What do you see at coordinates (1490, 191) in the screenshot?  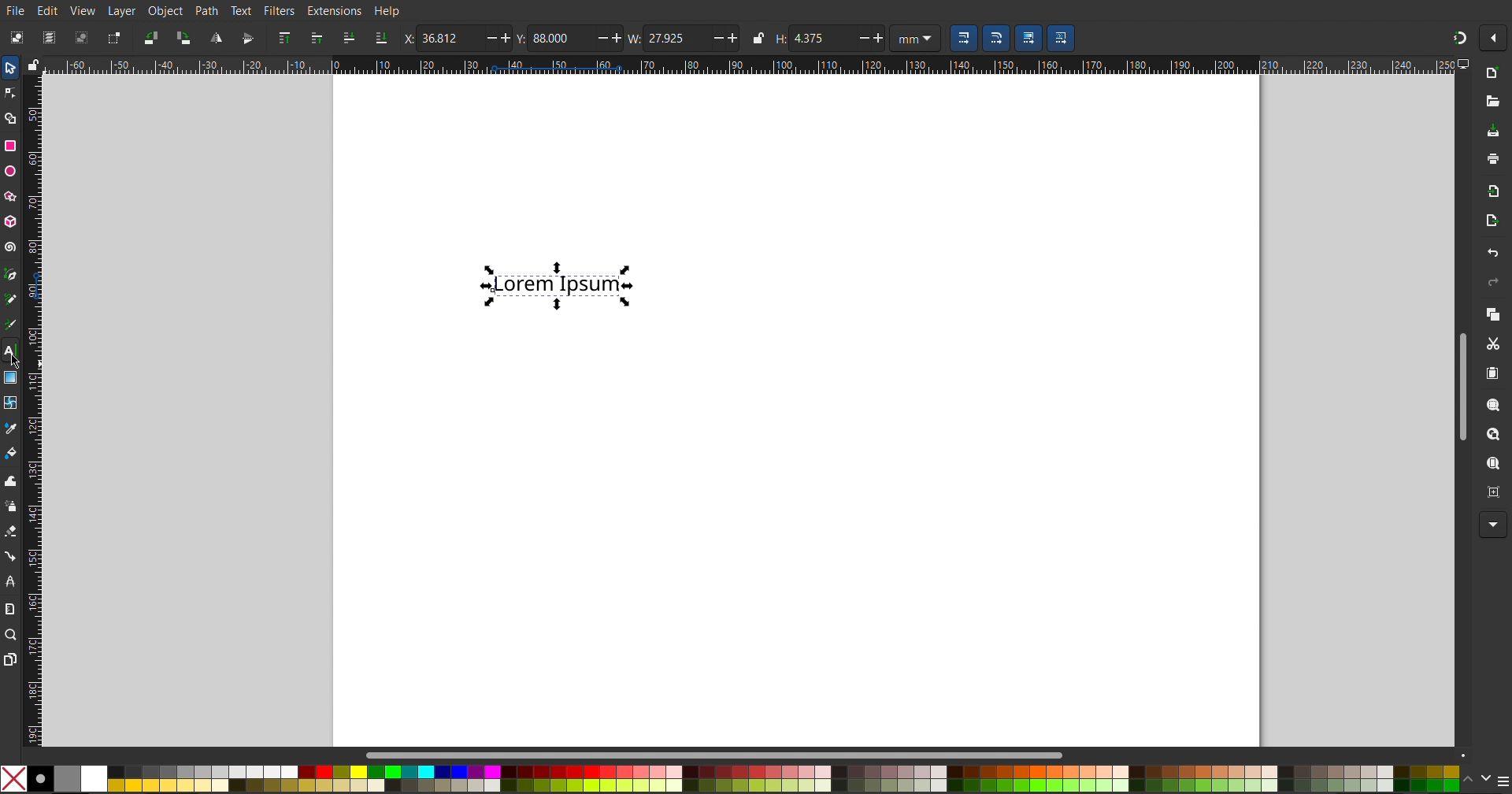 I see `Import a Bitmap or SVG` at bounding box center [1490, 191].